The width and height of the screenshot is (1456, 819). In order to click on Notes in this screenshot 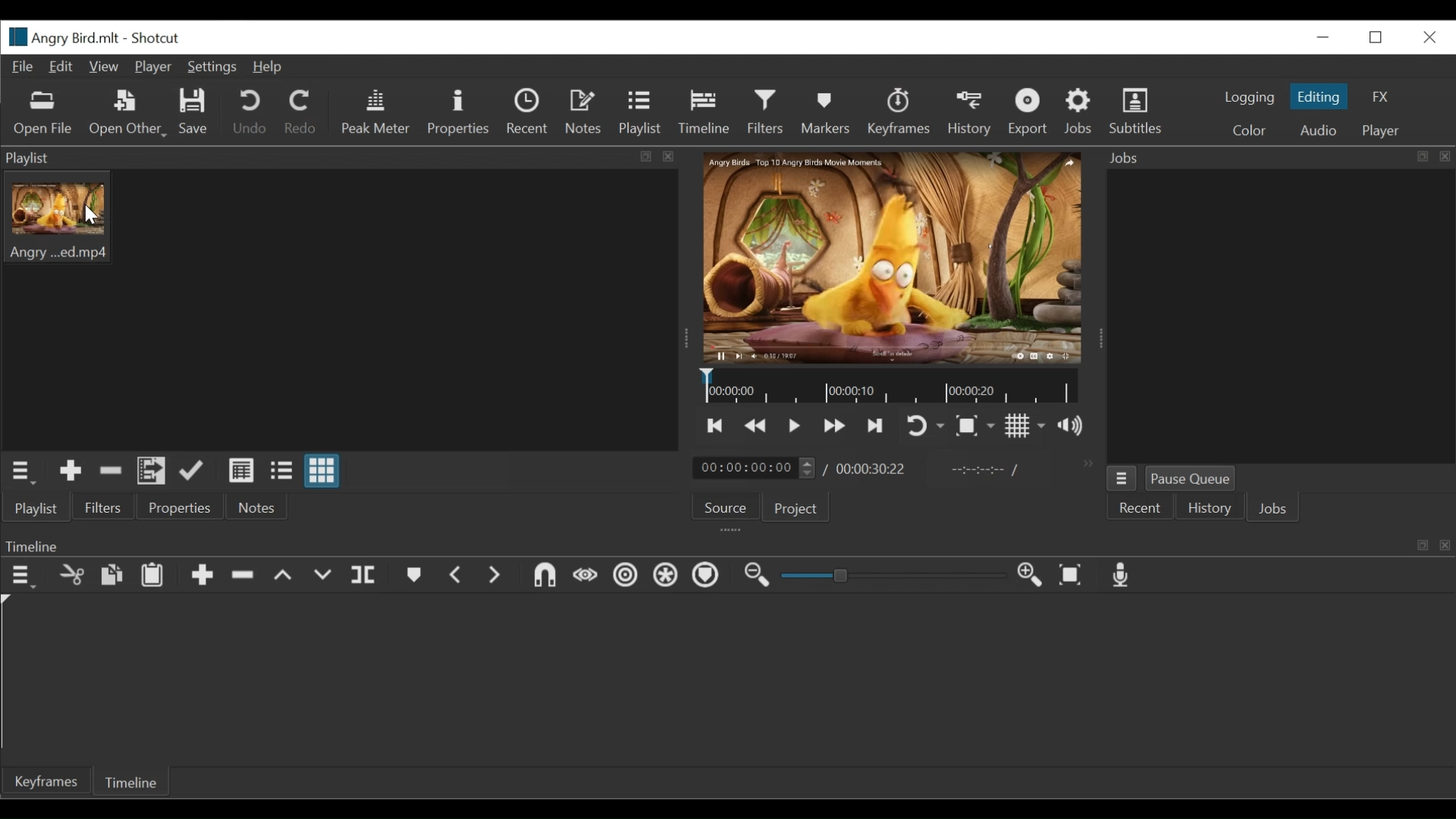, I will do `click(252, 507)`.